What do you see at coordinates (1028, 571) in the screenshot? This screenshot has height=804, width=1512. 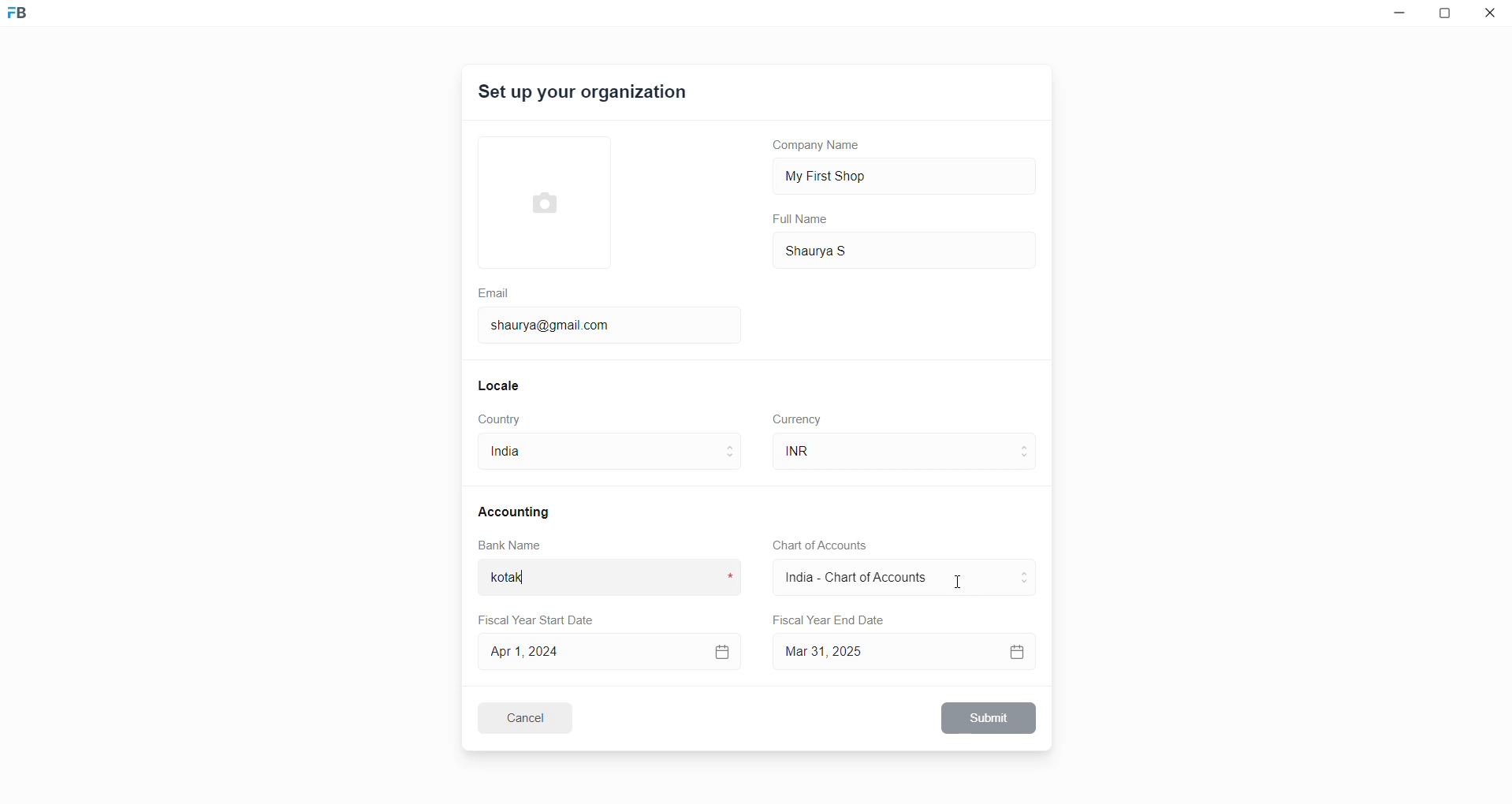 I see `move to above CoA` at bounding box center [1028, 571].